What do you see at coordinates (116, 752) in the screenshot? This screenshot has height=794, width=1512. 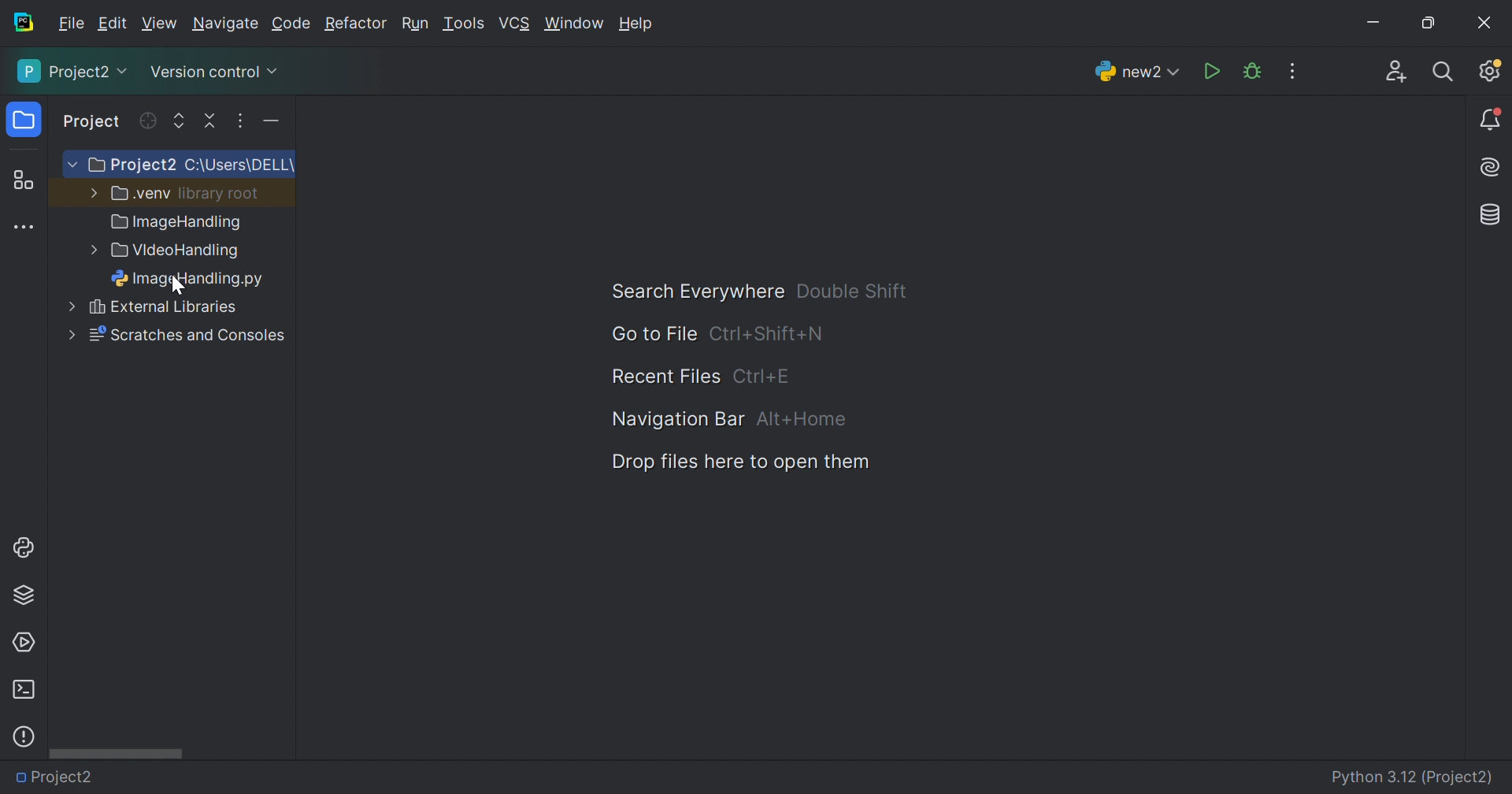 I see `Scroll bar` at bounding box center [116, 752].